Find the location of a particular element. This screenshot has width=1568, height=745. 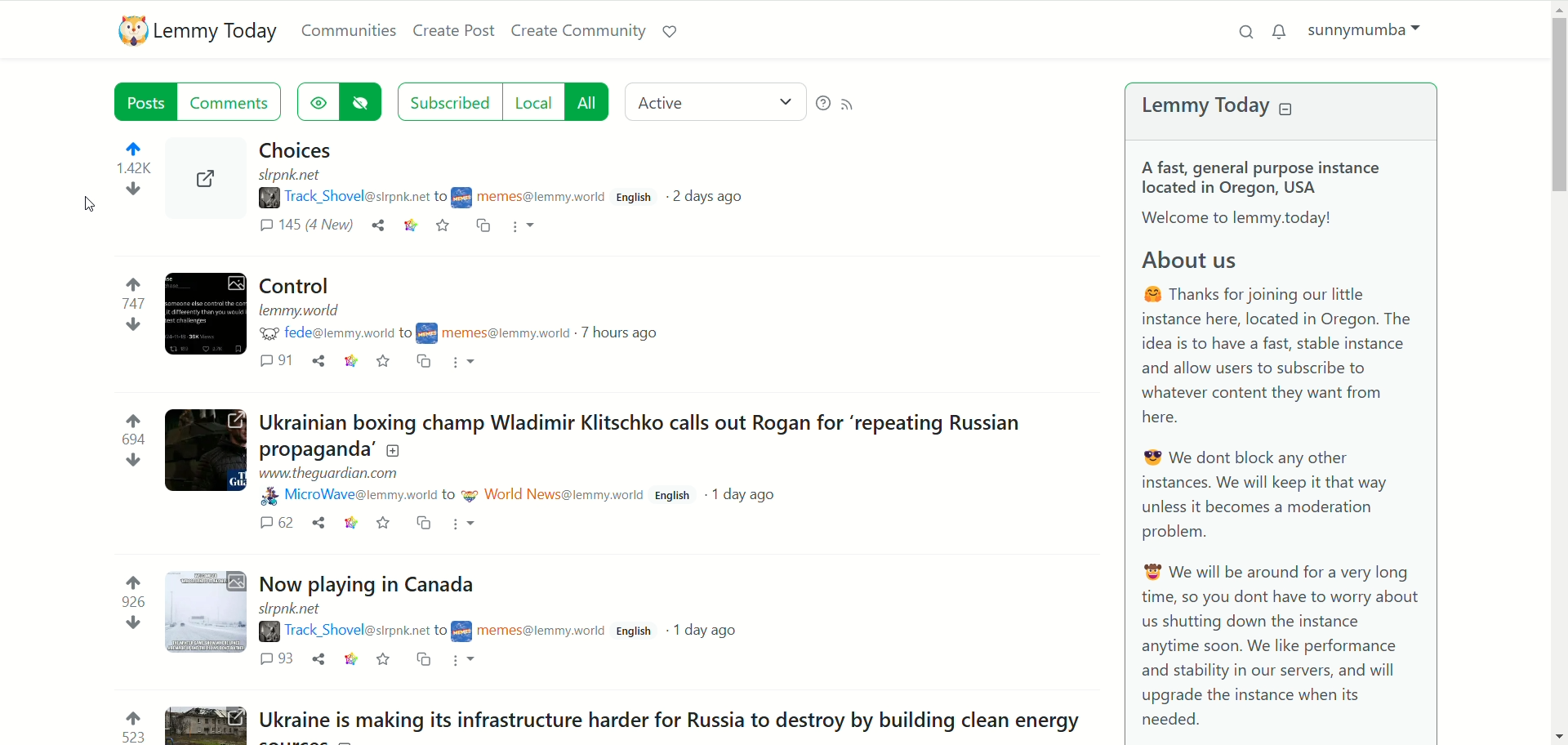

share is located at coordinates (381, 228).